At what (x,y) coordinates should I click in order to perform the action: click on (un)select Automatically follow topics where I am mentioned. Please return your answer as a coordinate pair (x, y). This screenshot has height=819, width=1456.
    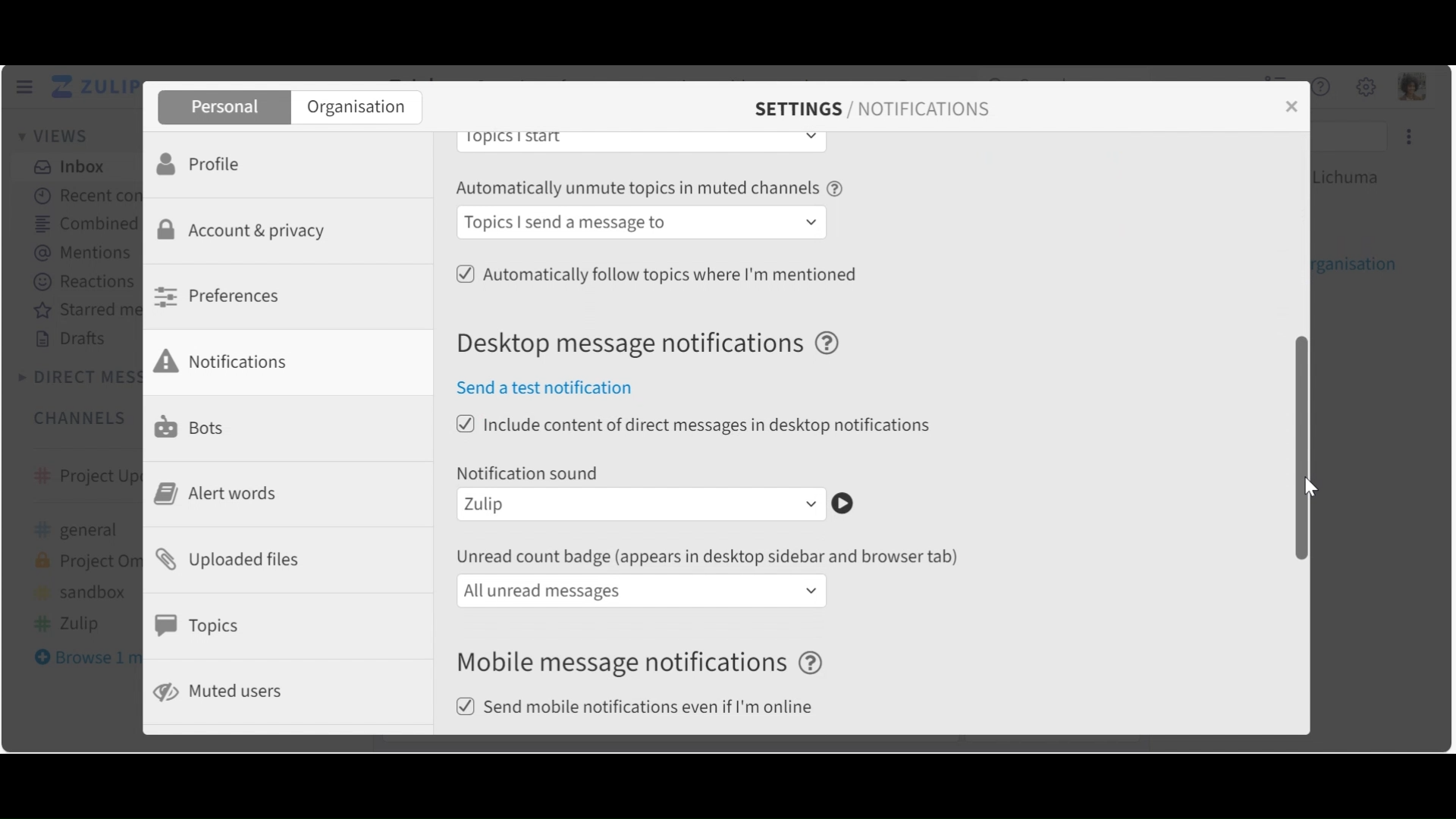
    Looking at the image, I should click on (656, 272).